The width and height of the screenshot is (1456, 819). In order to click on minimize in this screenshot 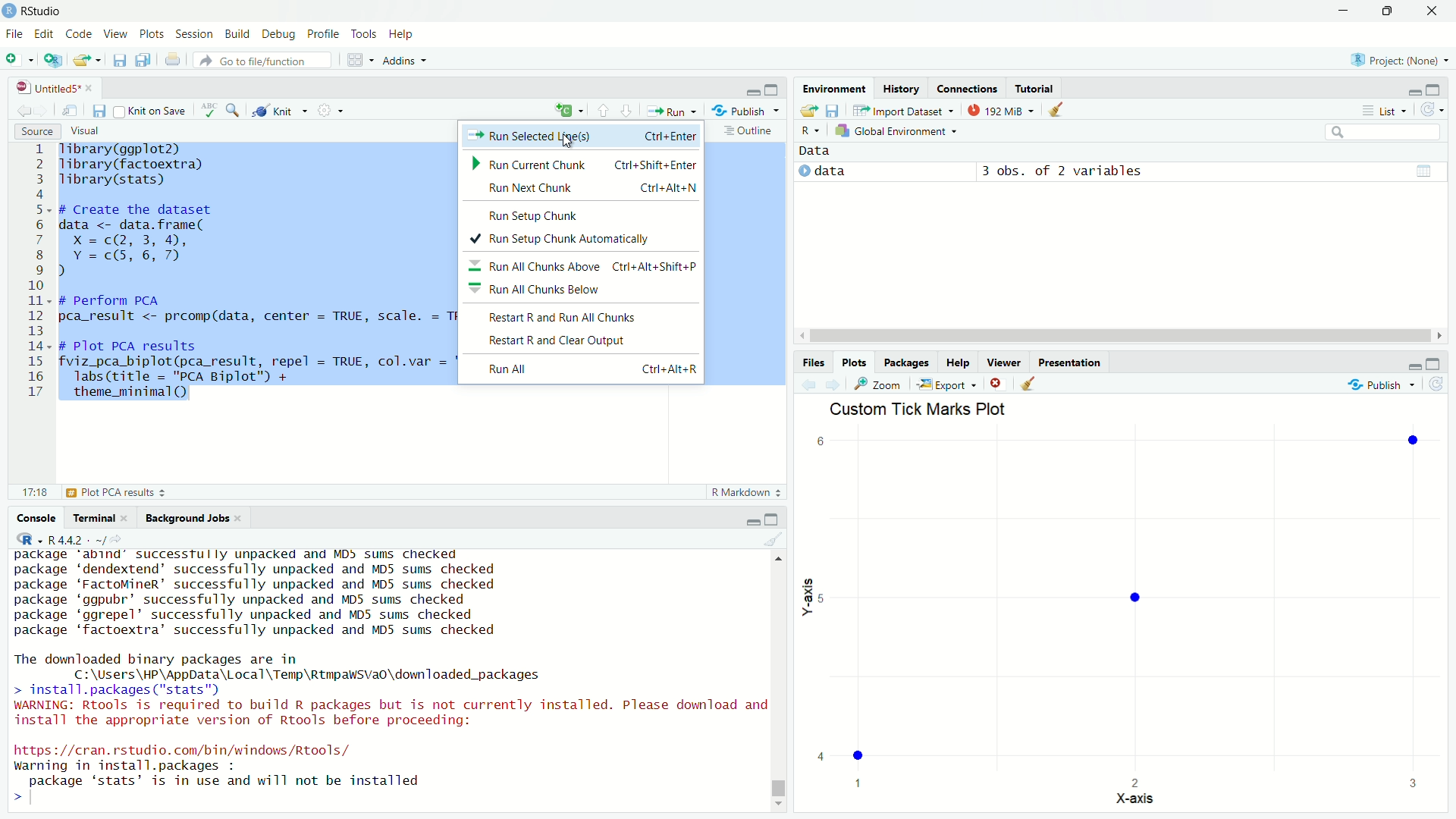, I will do `click(1344, 11)`.